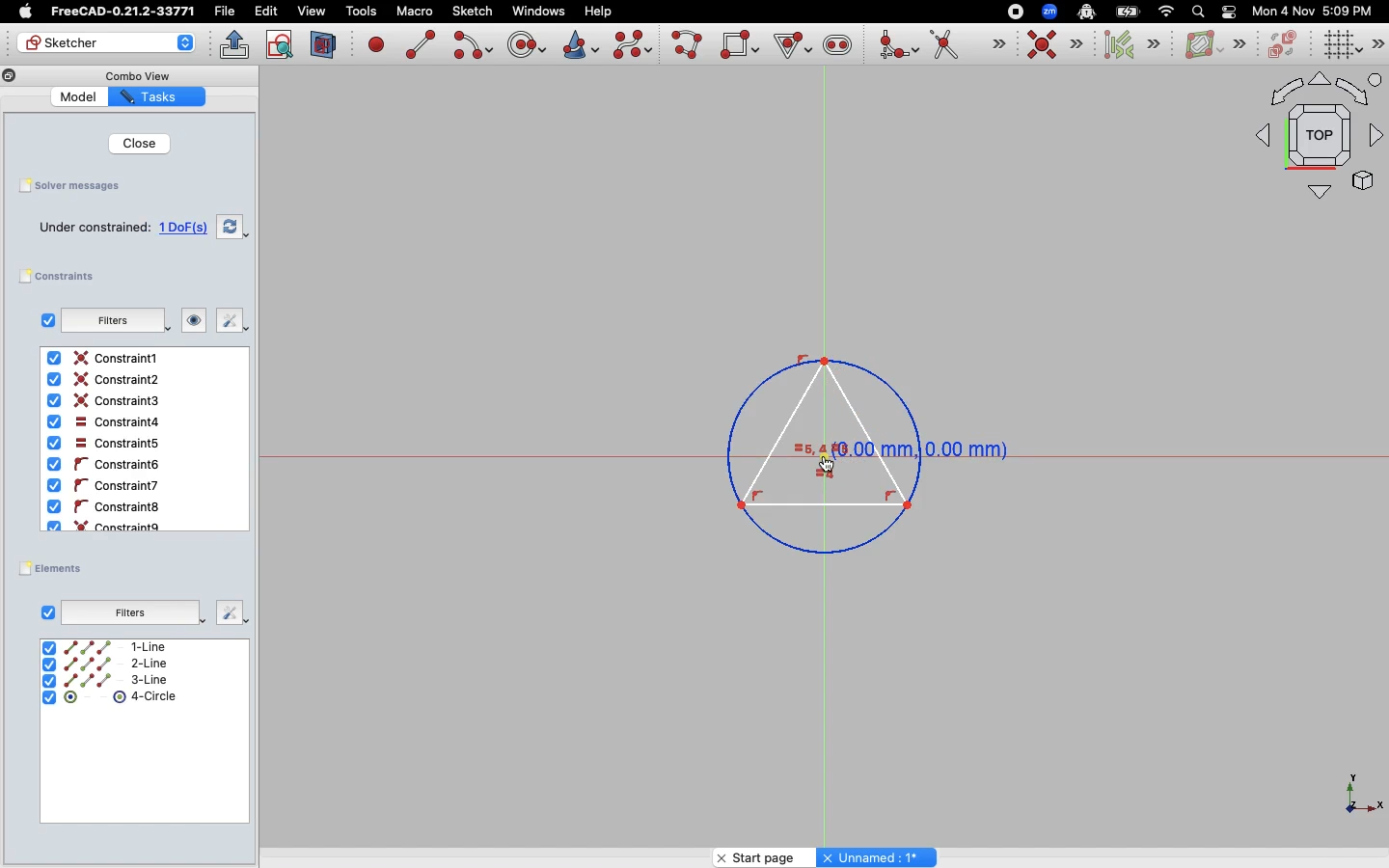 The width and height of the screenshot is (1389, 868). I want to click on Toggle, so click(1229, 12).